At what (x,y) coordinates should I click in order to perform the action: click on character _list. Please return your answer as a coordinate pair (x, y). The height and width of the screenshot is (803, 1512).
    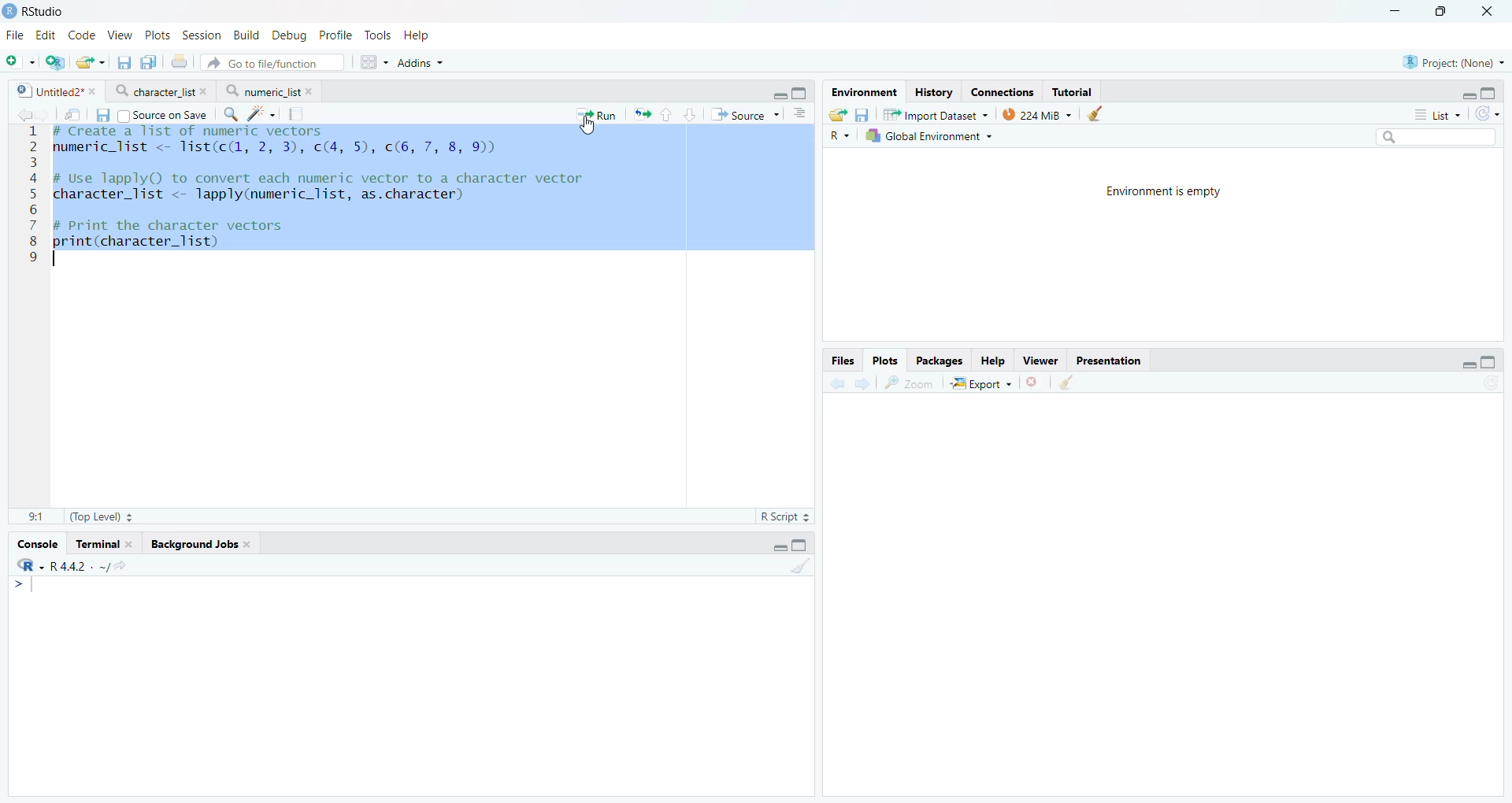
    Looking at the image, I should click on (159, 91).